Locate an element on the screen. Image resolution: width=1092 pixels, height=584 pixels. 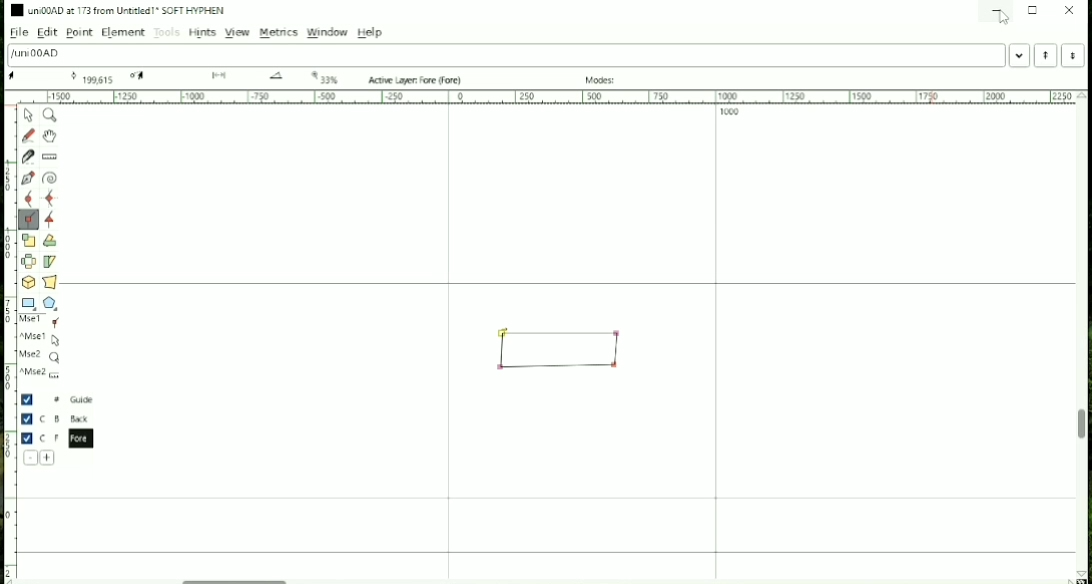
Element is located at coordinates (122, 33).